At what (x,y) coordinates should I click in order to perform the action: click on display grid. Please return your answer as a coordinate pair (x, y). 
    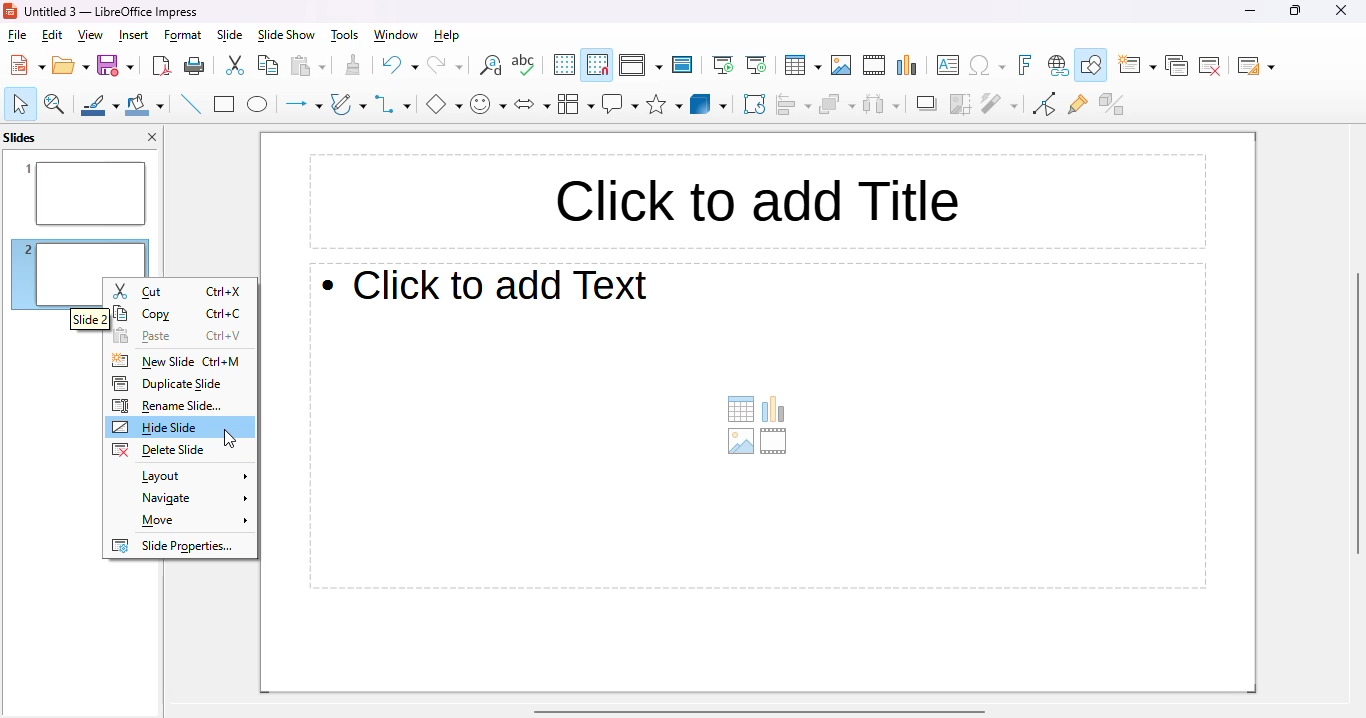
    Looking at the image, I should click on (564, 65).